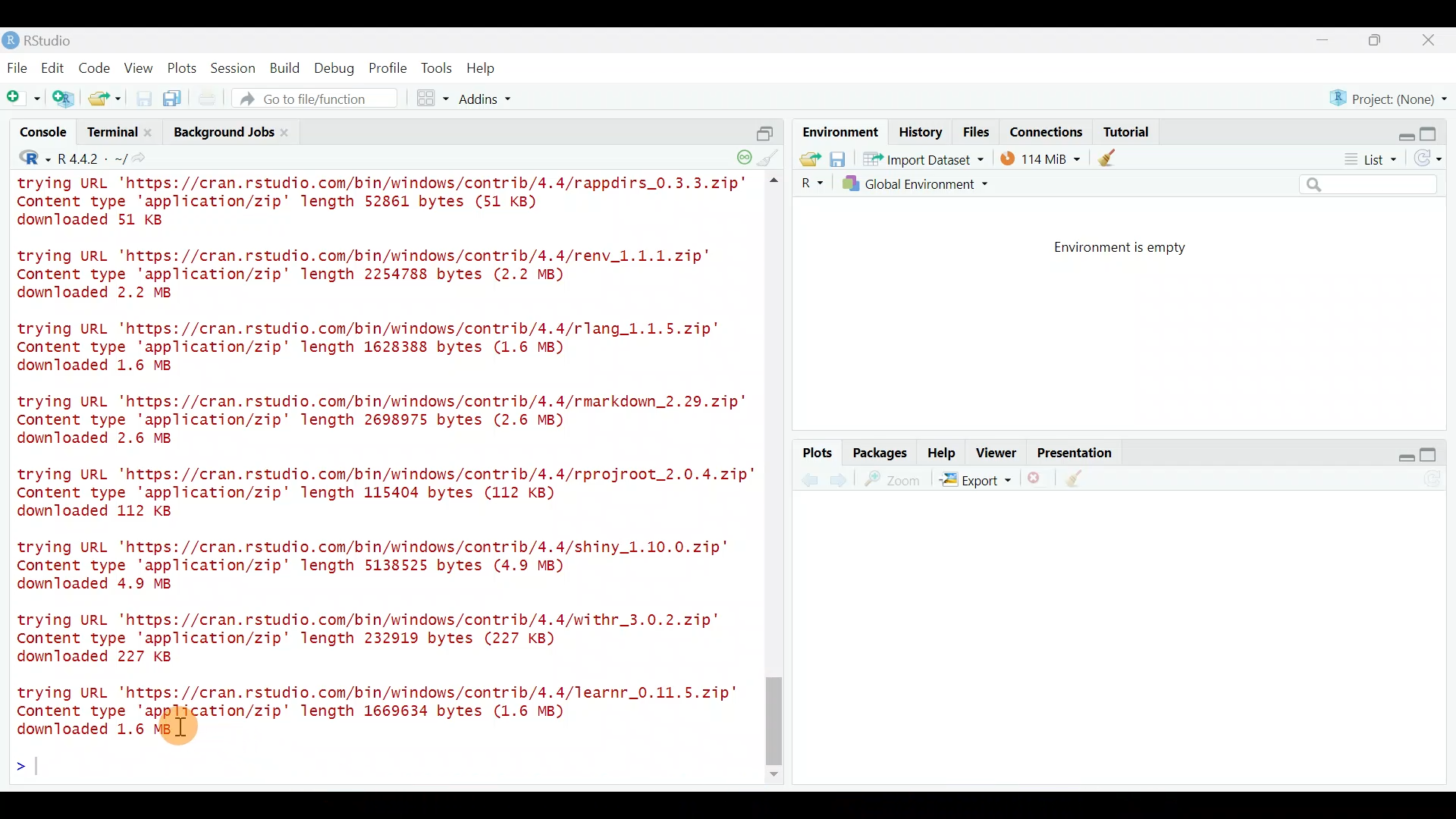 This screenshot has height=819, width=1456. What do you see at coordinates (743, 152) in the screenshot?
I see `session suspend timeout paused - a child session is running` at bounding box center [743, 152].